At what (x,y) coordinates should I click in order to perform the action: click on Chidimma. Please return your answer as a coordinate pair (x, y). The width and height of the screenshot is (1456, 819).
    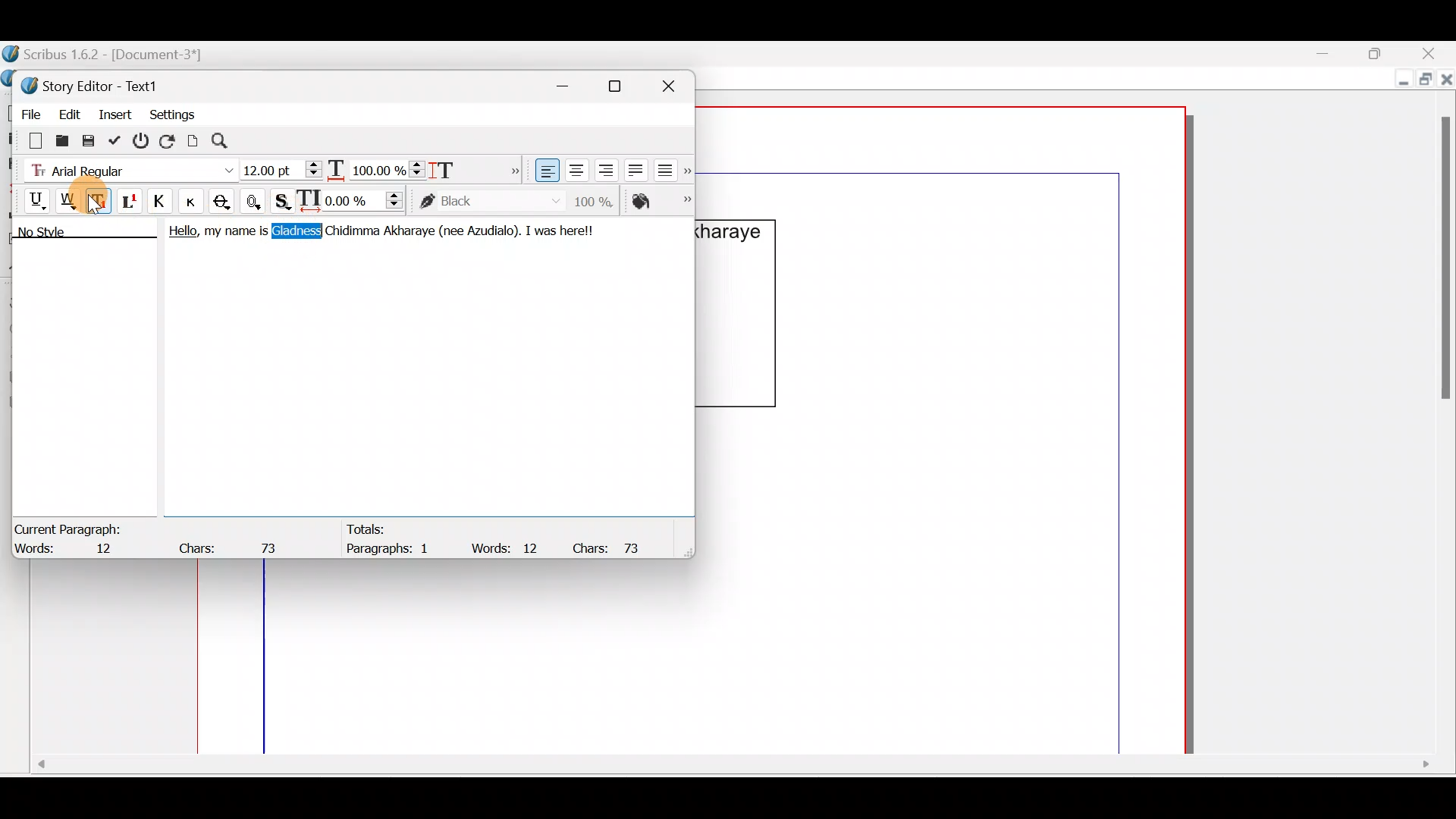
    Looking at the image, I should click on (351, 234).